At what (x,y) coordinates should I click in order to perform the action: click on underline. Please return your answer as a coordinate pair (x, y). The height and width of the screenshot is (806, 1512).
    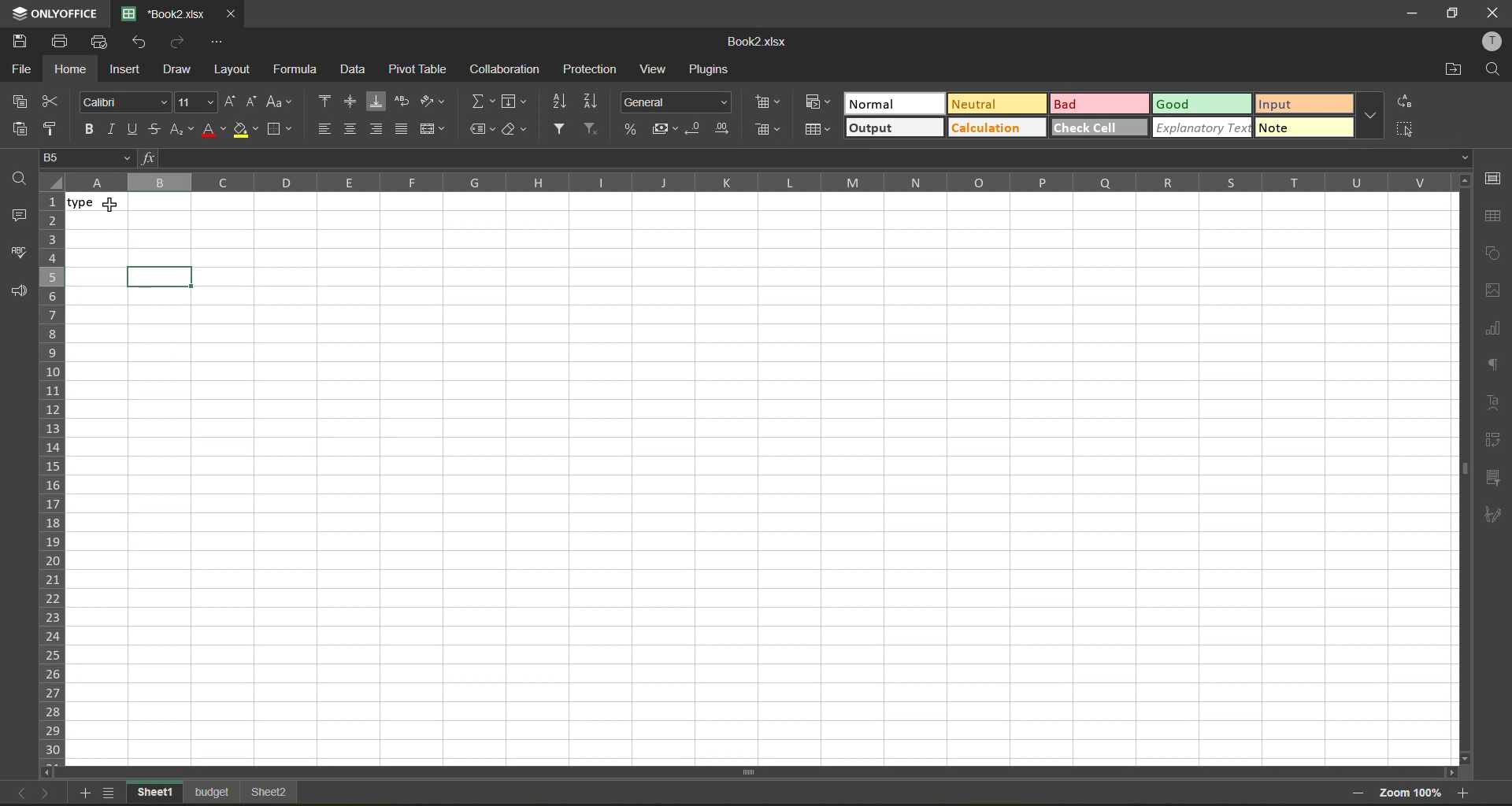
    Looking at the image, I should click on (135, 128).